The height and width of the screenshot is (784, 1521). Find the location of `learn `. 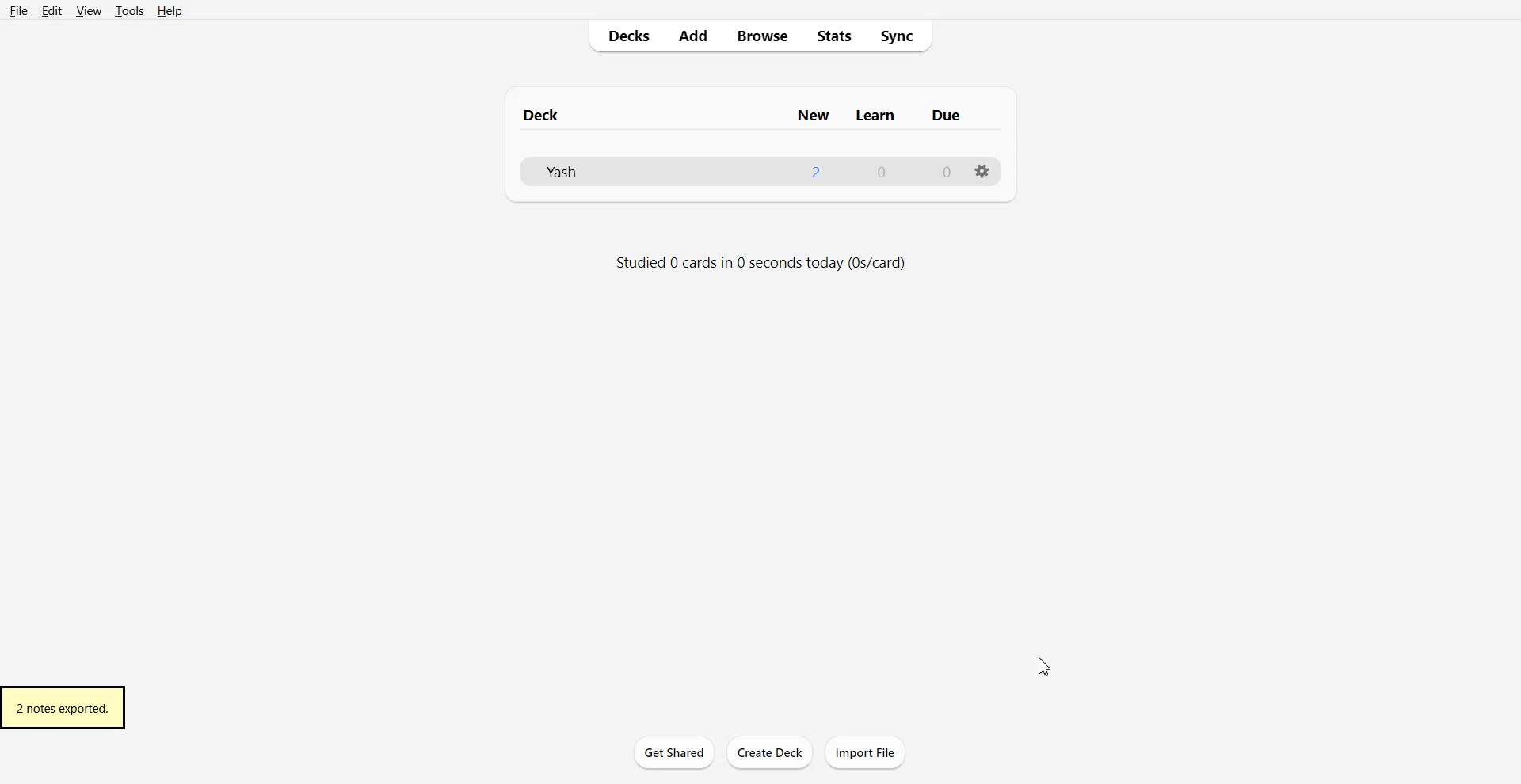

learn  is located at coordinates (877, 116).